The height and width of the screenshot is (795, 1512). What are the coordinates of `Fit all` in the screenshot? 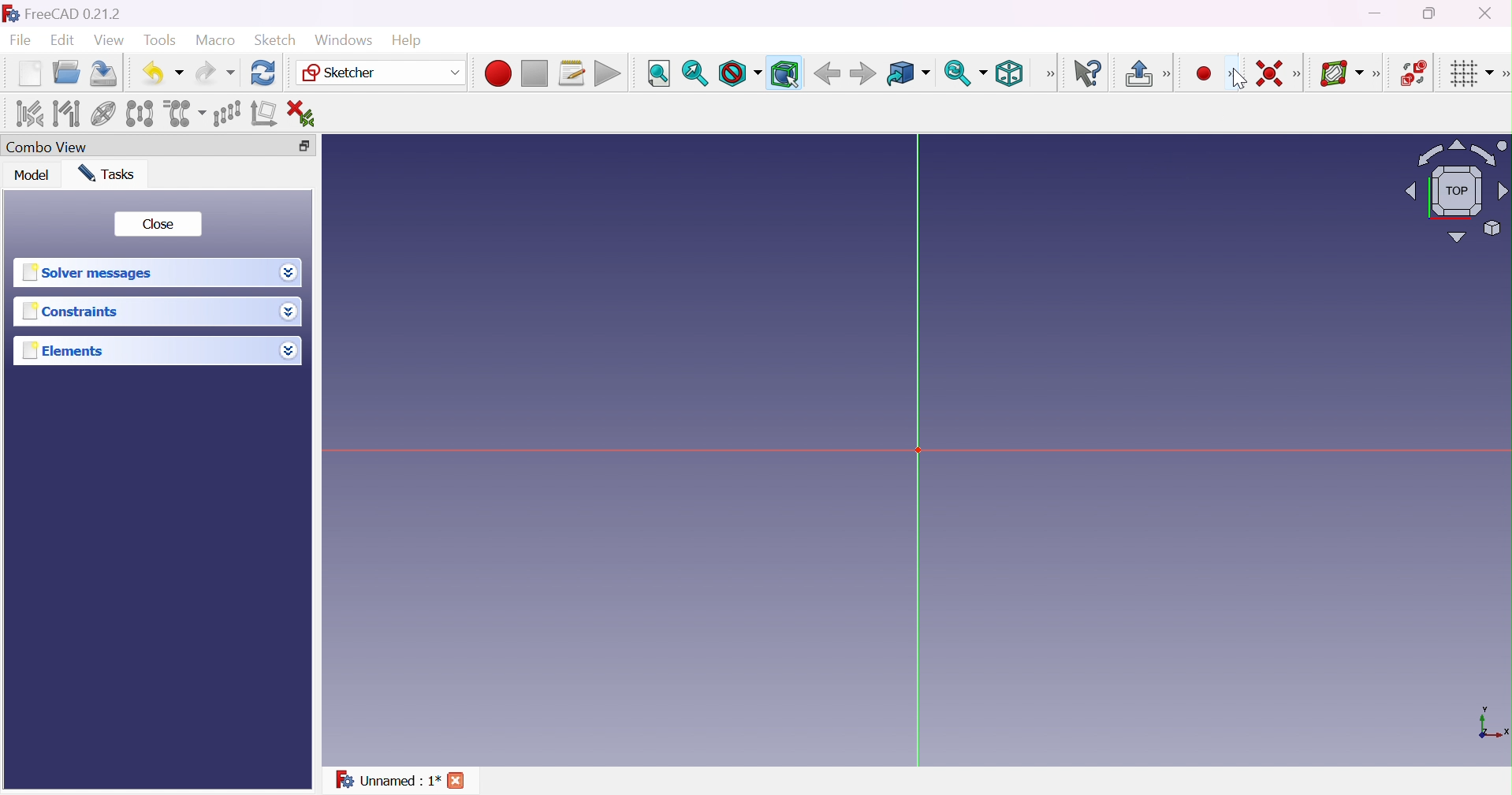 It's located at (657, 73).